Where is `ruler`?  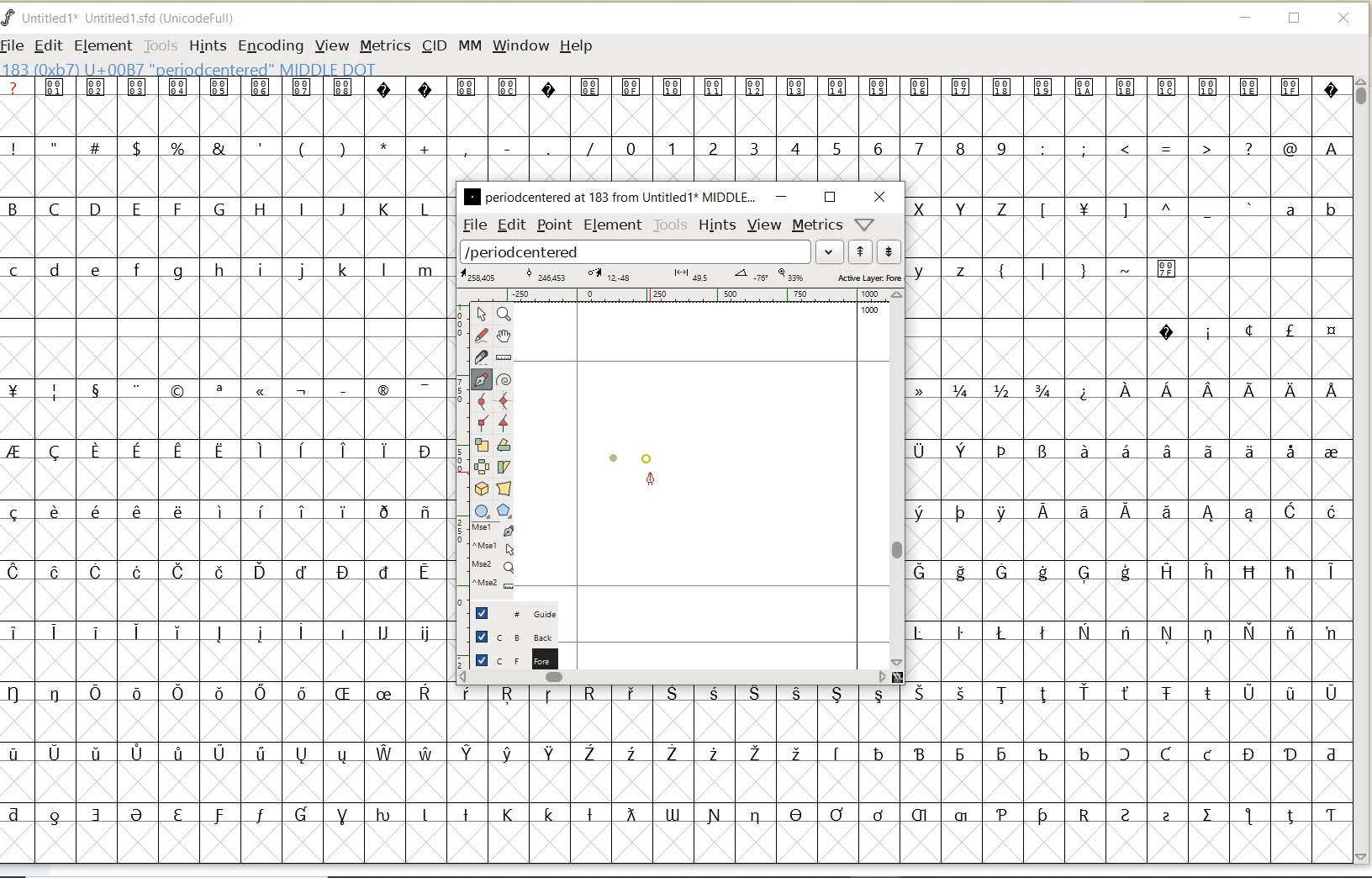
ruler is located at coordinates (683, 297).